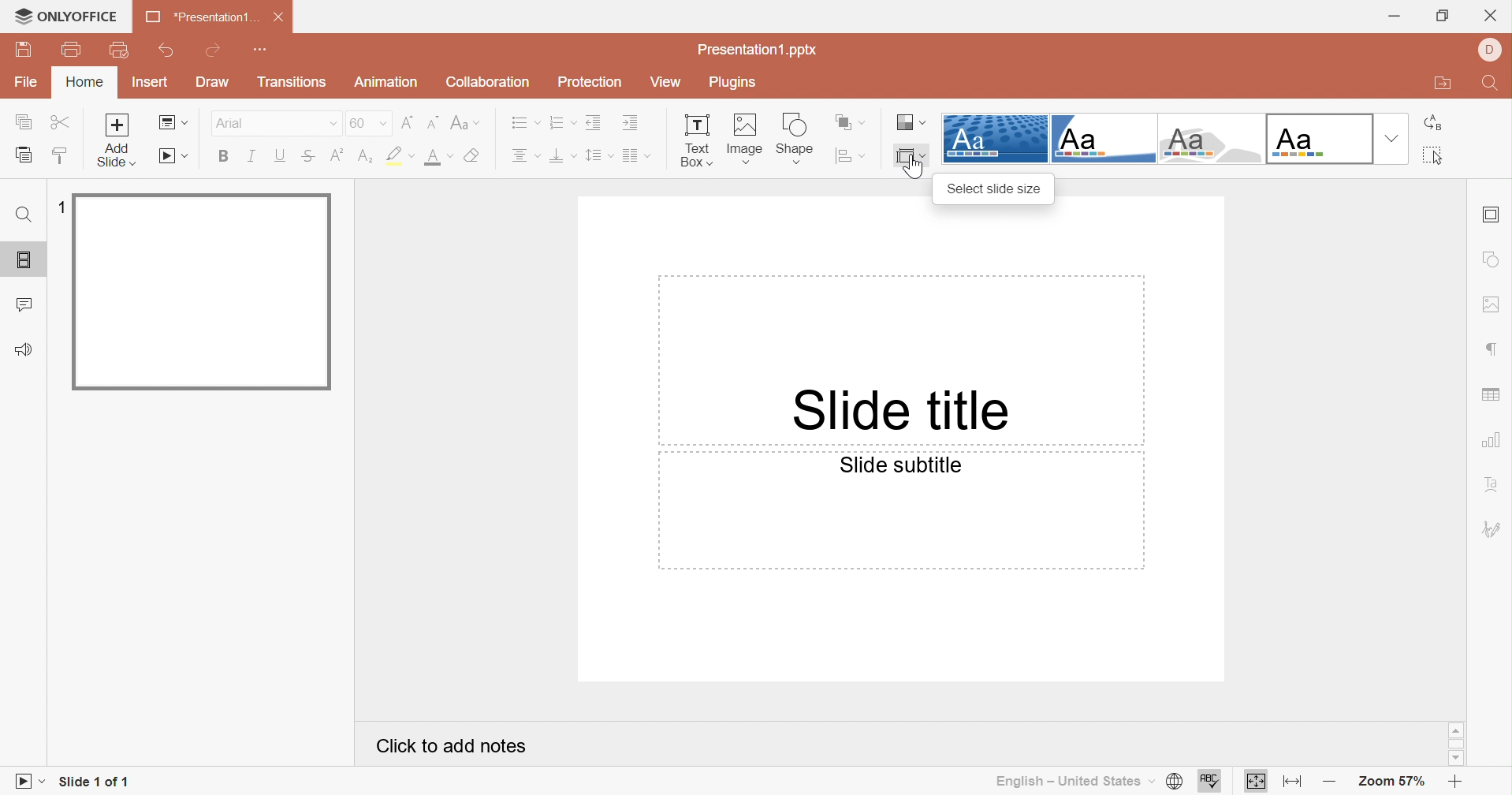 The height and width of the screenshot is (795, 1512). Describe the element at coordinates (203, 291) in the screenshot. I see `Slide` at that location.